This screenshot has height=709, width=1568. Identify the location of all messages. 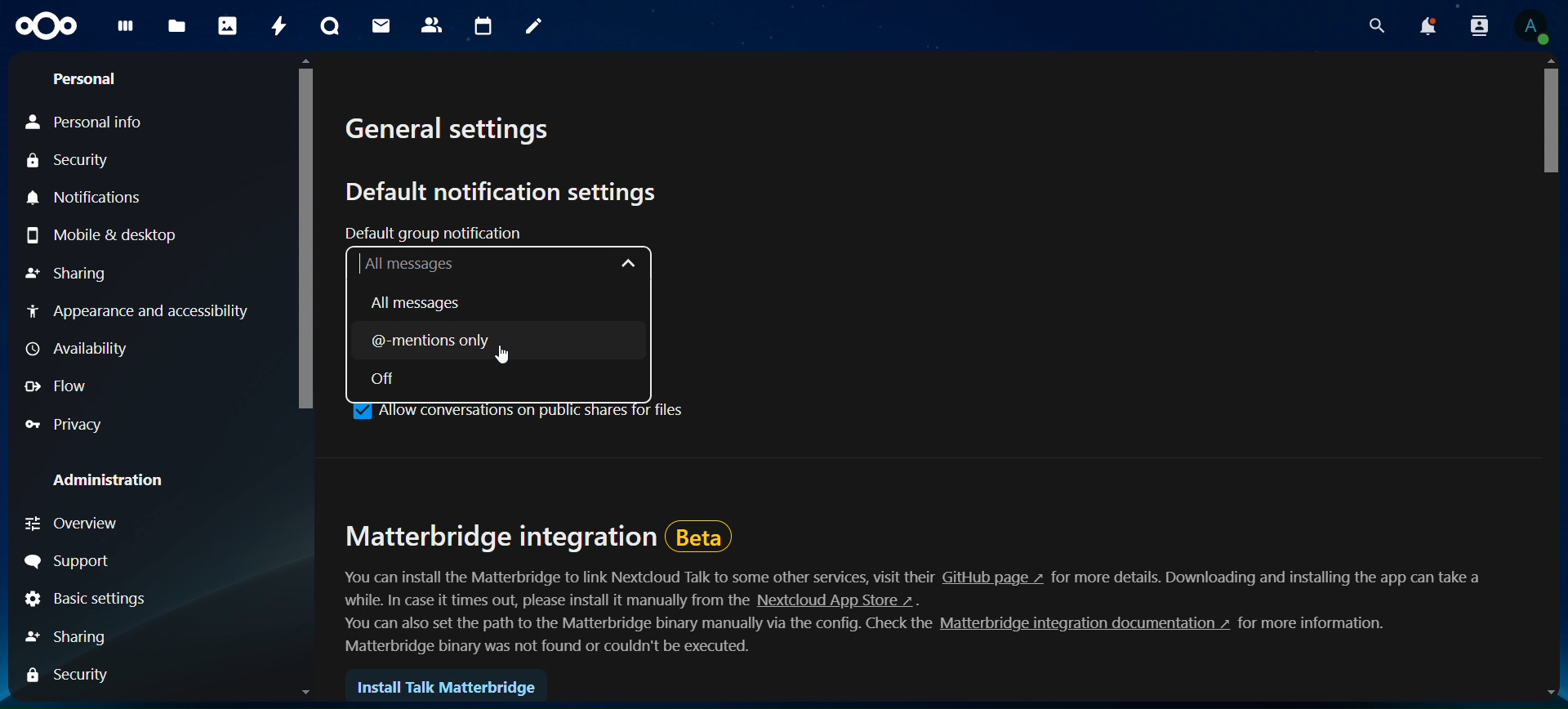
(421, 304).